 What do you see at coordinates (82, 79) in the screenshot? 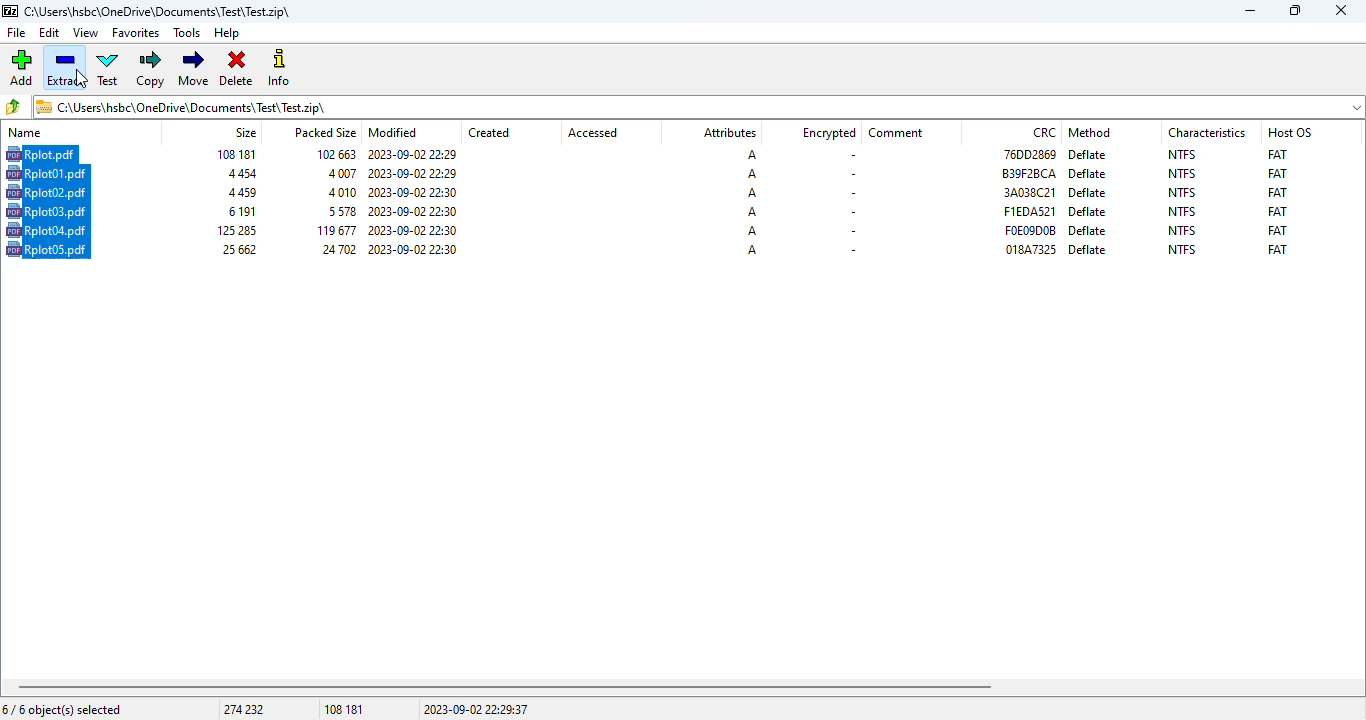
I see `cursor` at bounding box center [82, 79].